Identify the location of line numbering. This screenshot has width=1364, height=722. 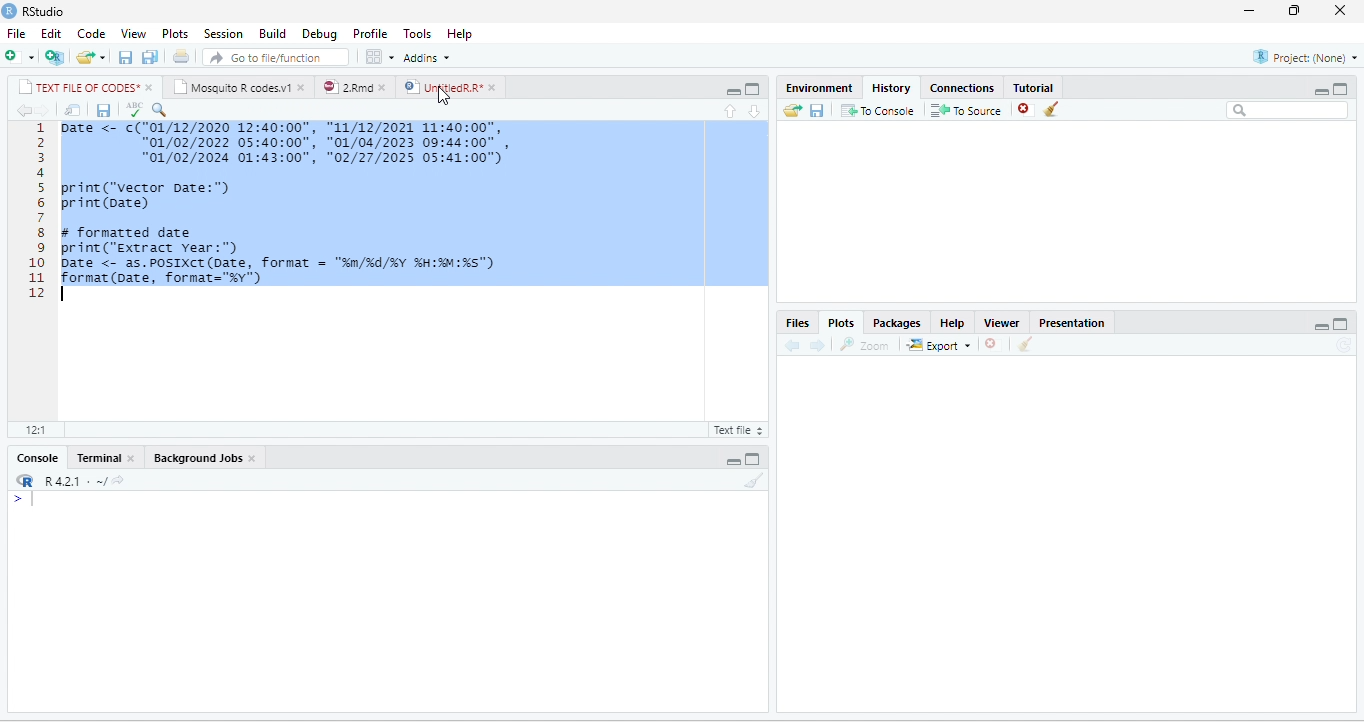
(37, 210).